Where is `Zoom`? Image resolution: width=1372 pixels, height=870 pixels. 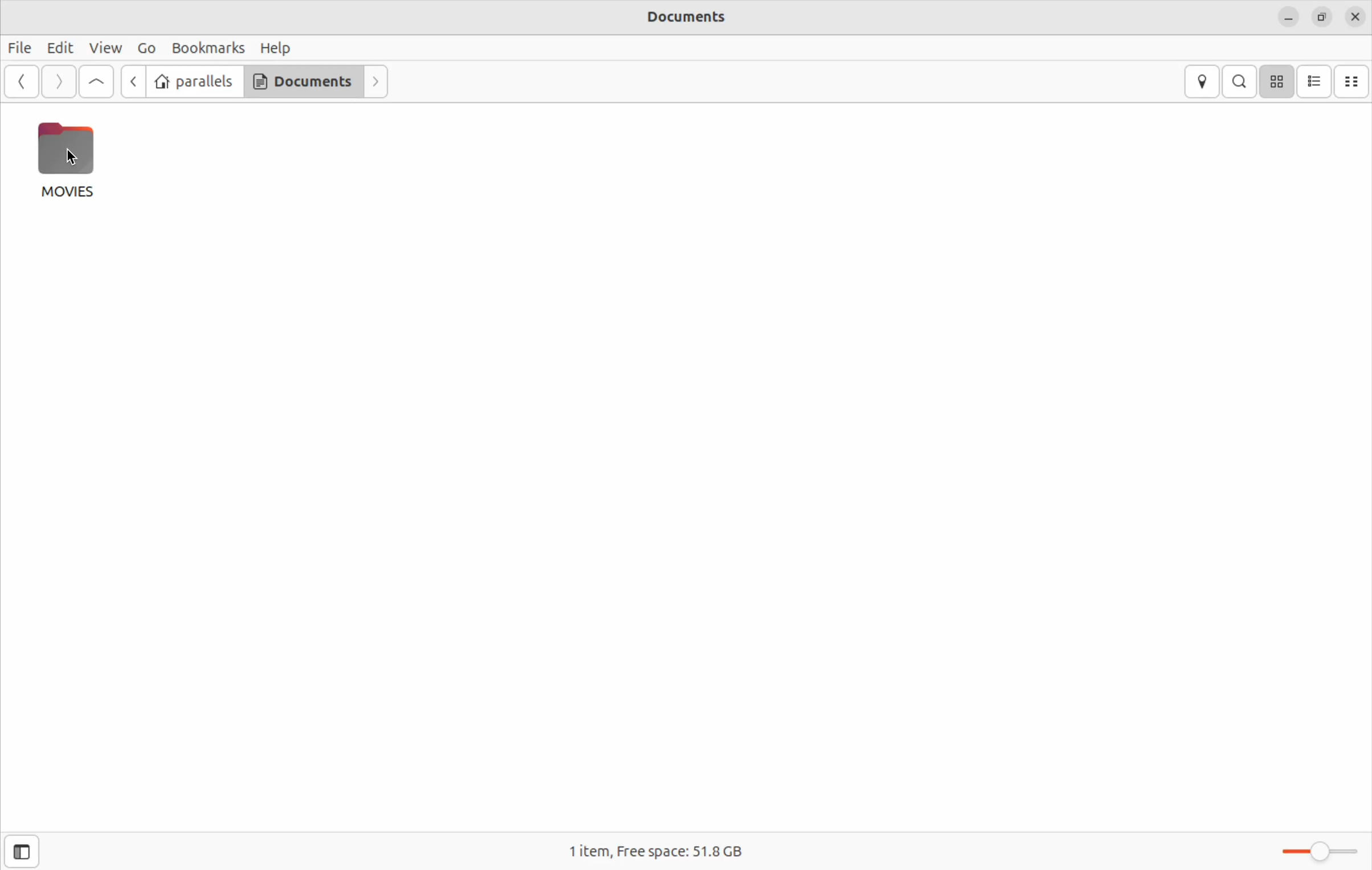 Zoom is located at coordinates (1308, 852).